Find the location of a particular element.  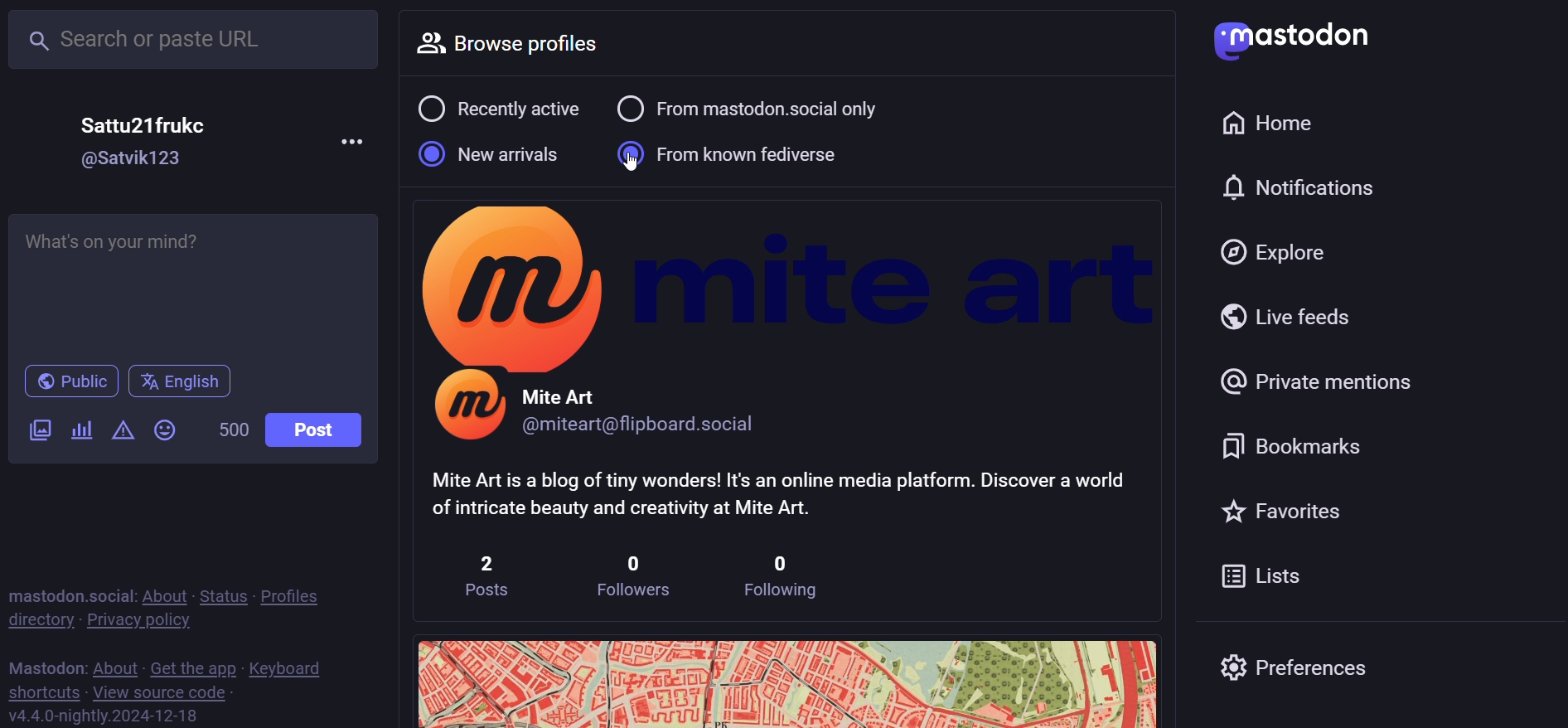

directory is located at coordinates (36, 620).